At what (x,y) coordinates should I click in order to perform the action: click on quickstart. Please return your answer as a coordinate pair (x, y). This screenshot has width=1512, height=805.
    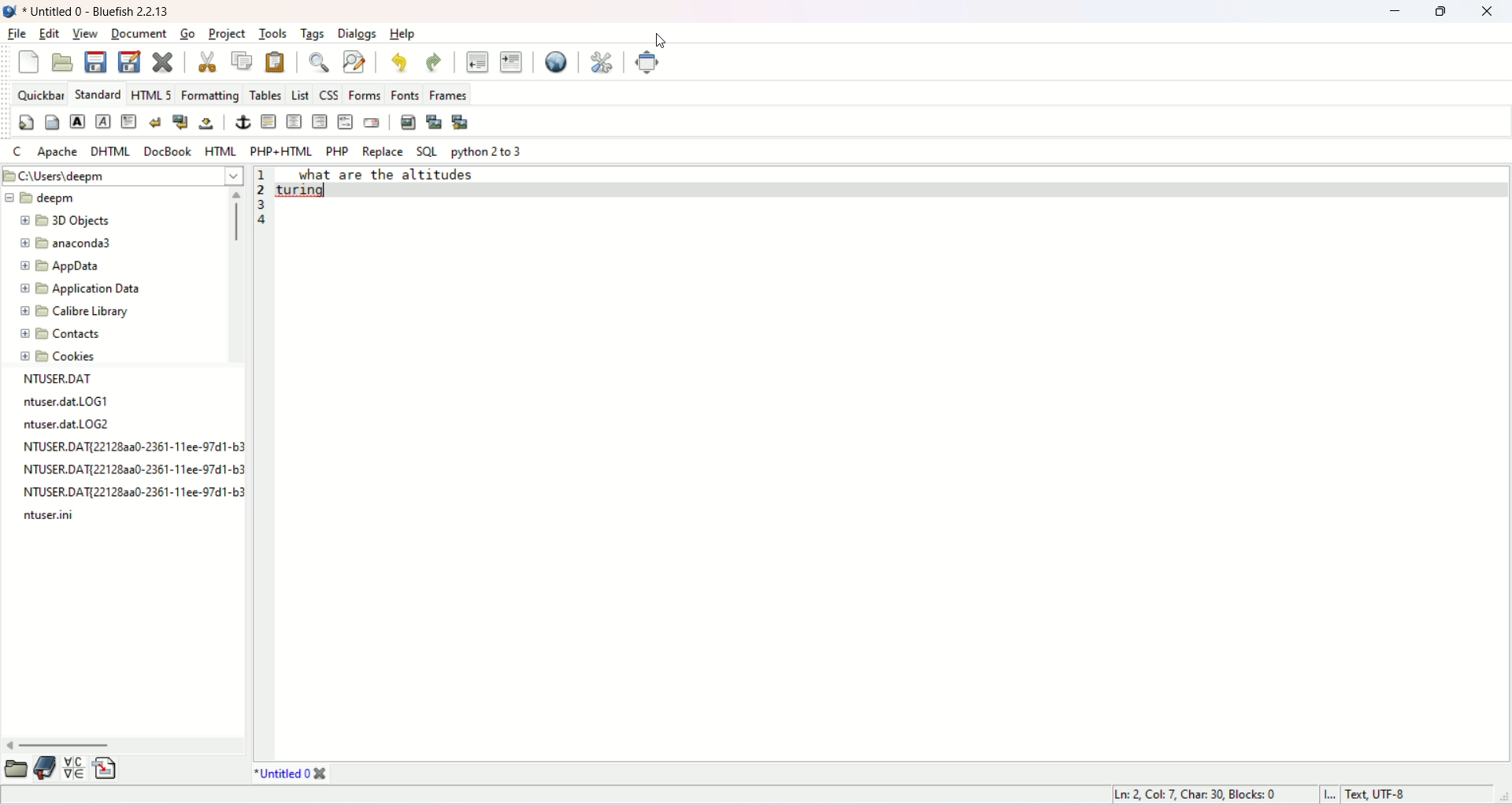
    Looking at the image, I should click on (26, 124).